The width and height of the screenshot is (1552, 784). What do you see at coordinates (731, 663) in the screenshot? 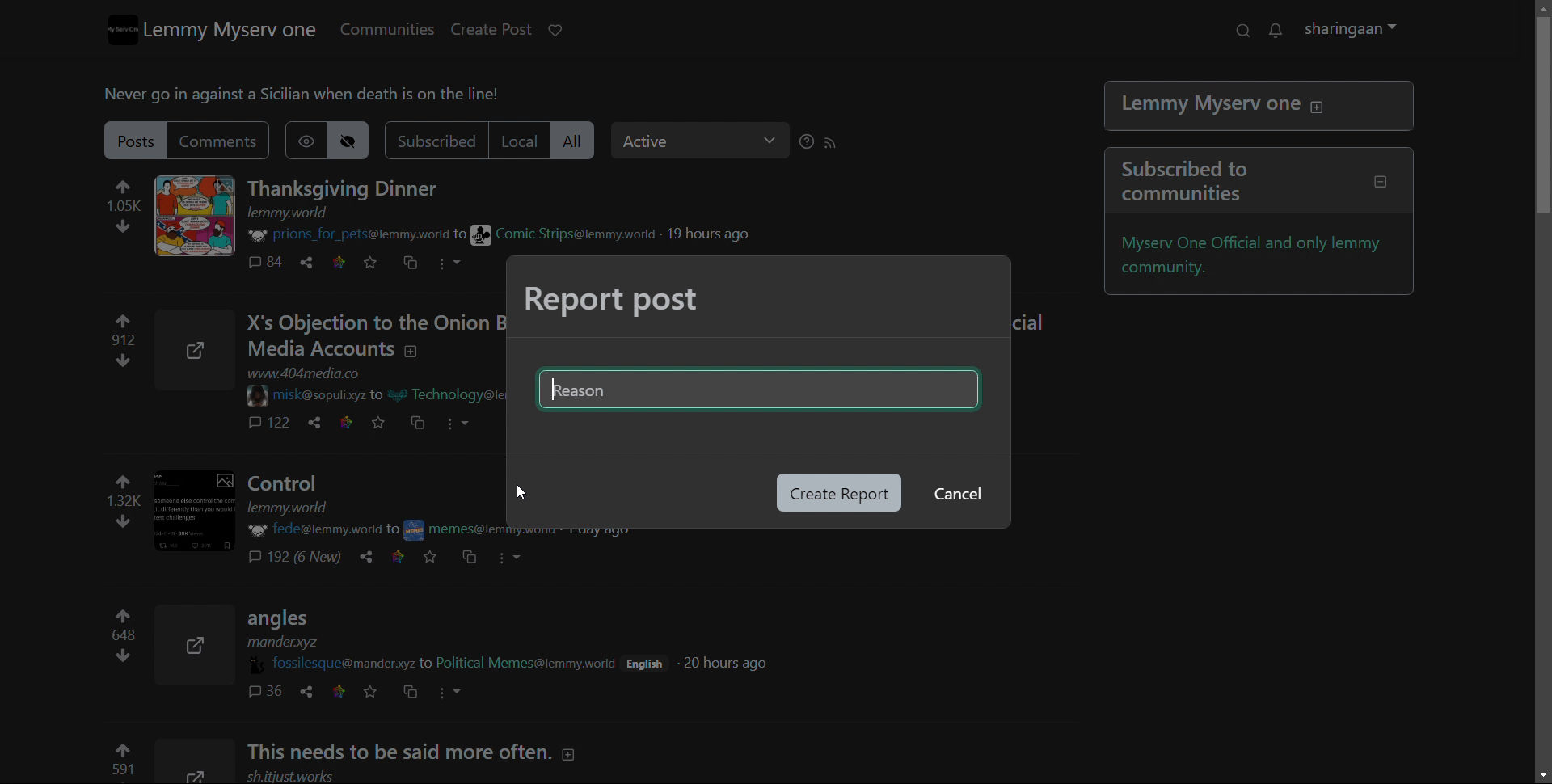
I see `20 hours ago (post time)` at bounding box center [731, 663].